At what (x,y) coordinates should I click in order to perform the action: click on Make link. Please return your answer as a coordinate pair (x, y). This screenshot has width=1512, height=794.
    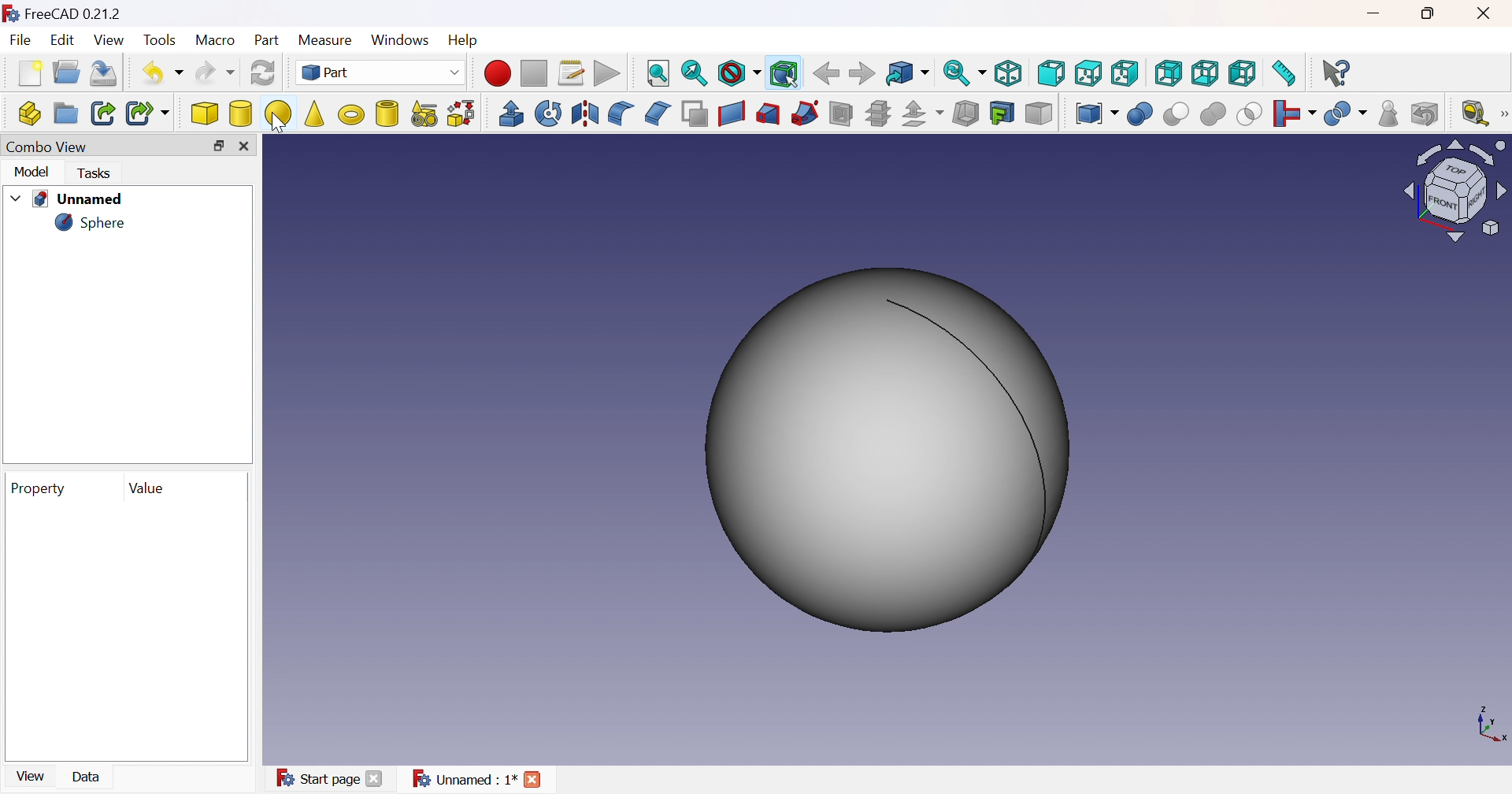
    Looking at the image, I should click on (103, 113).